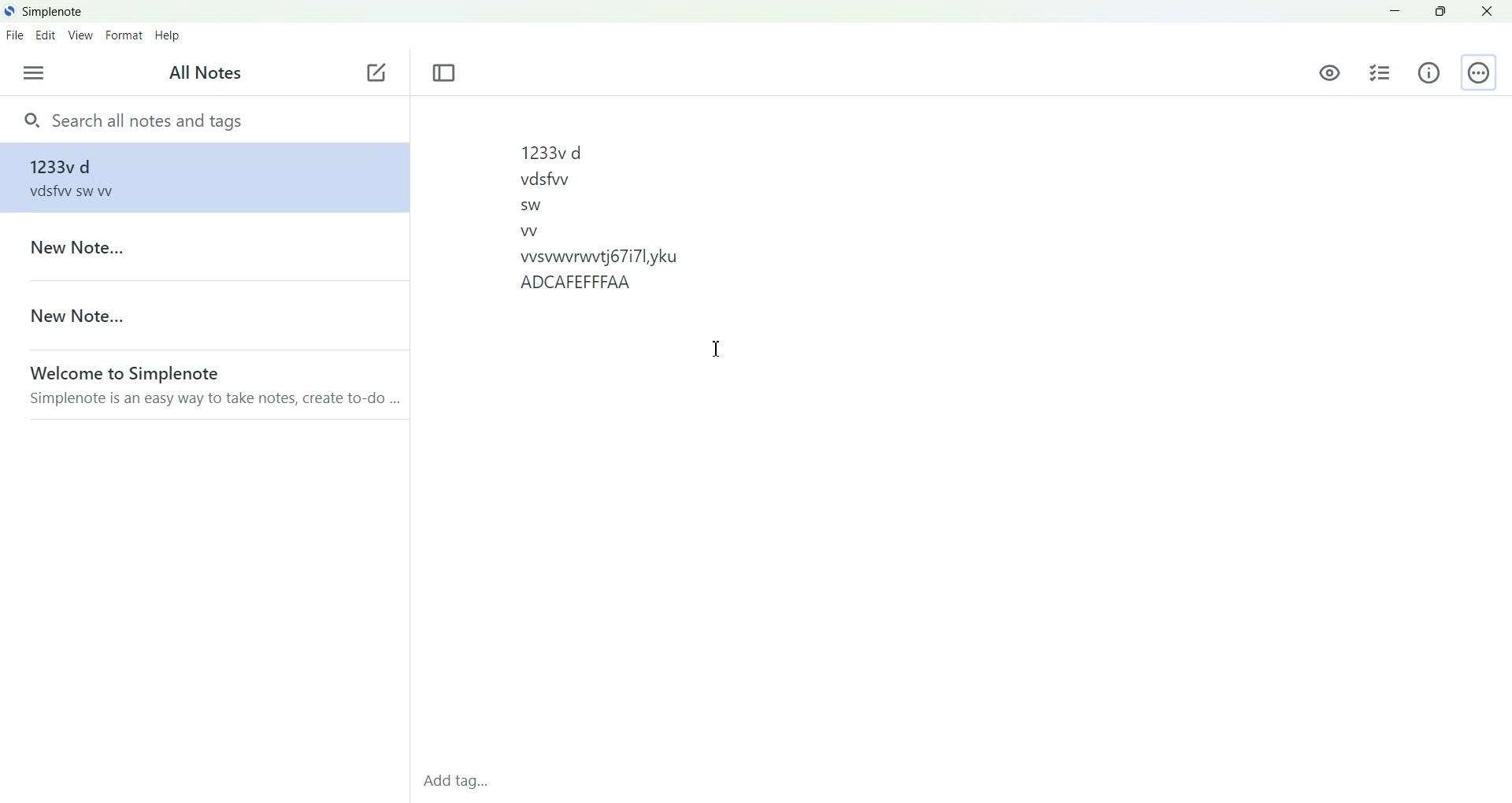 The height and width of the screenshot is (803, 1512). What do you see at coordinates (201, 74) in the screenshot?
I see `All Notes` at bounding box center [201, 74].